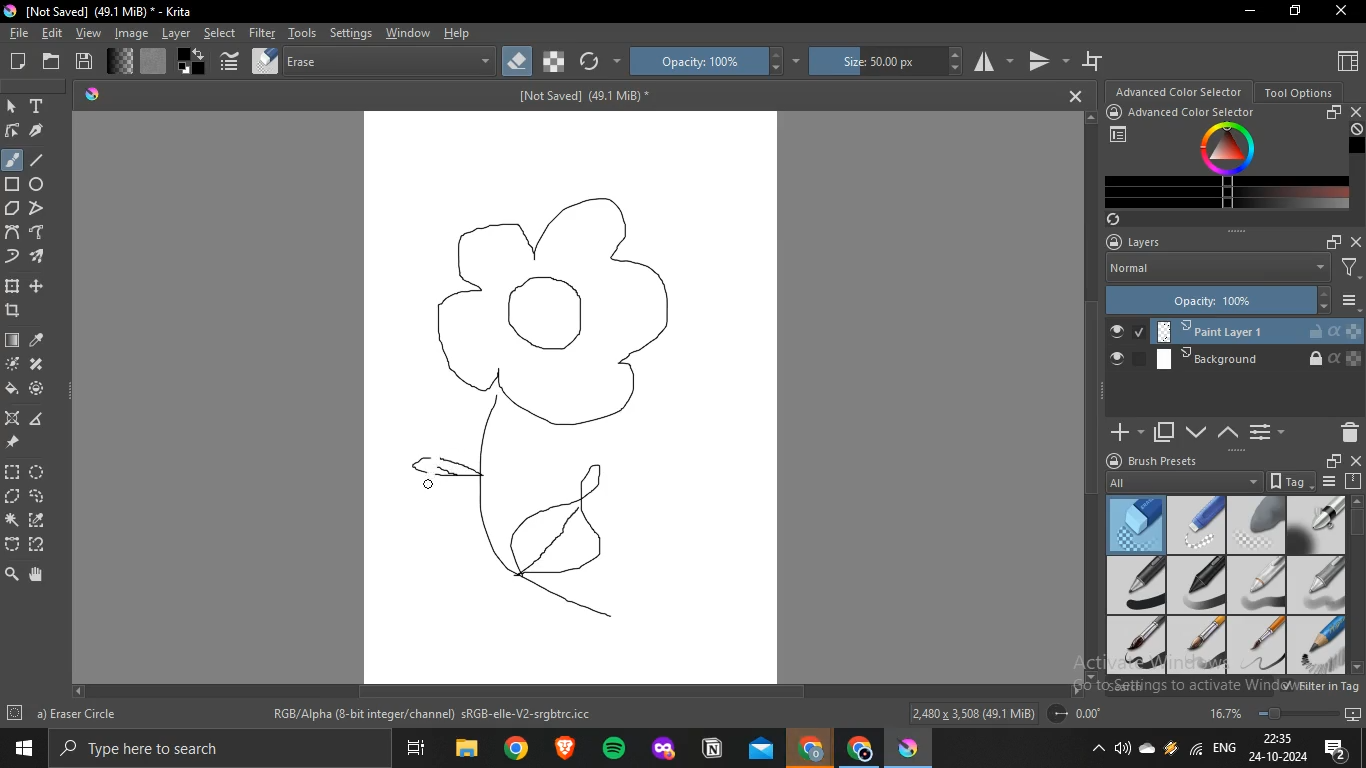 Image resolution: width=1366 pixels, height=768 pixels. What do you see at coordinates (1137, 585) in the screenshot?
I see `basic 1` at bounding box center [1137, 585].